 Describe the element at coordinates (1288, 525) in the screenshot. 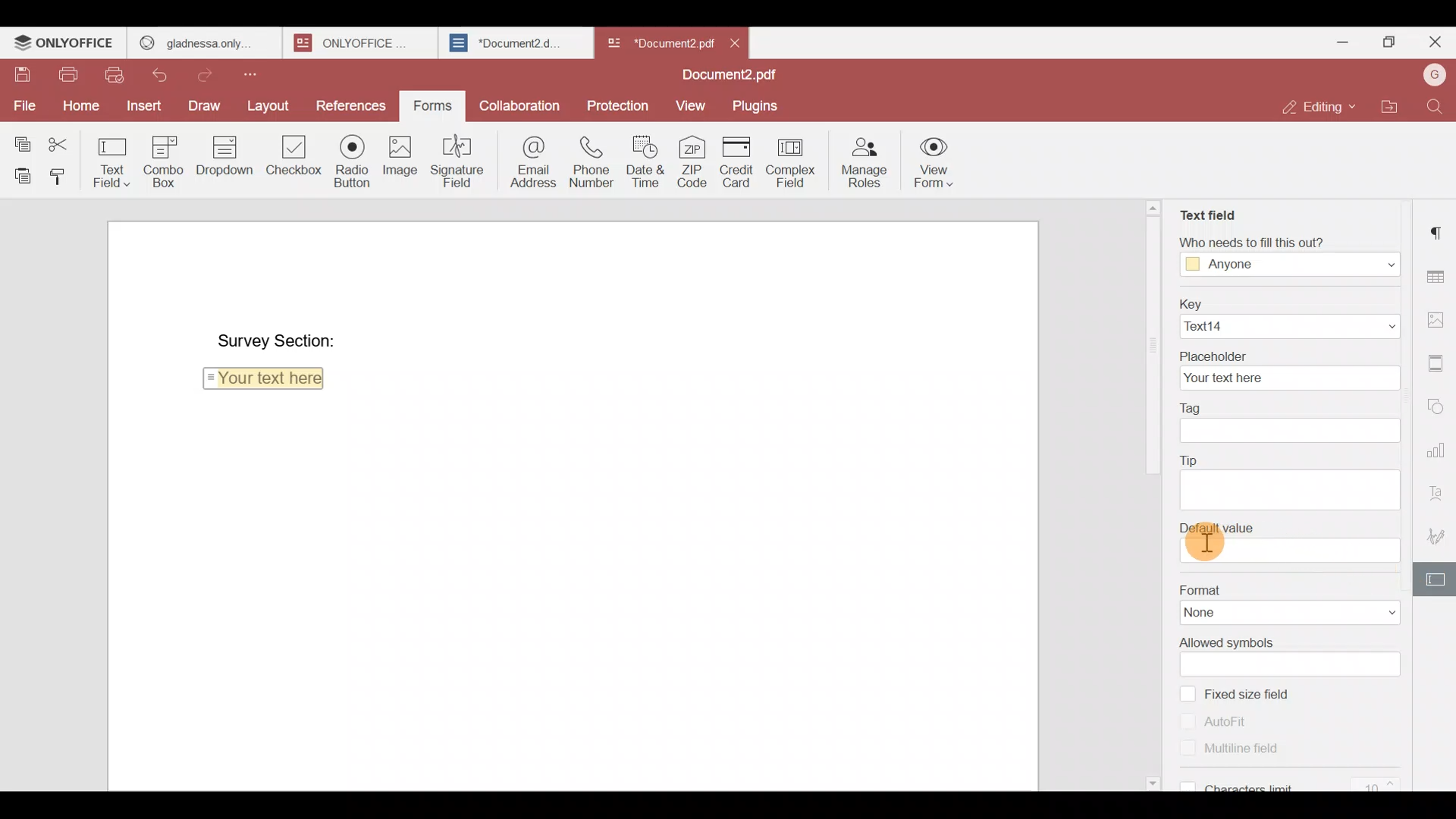

I see `Default value` at that location.